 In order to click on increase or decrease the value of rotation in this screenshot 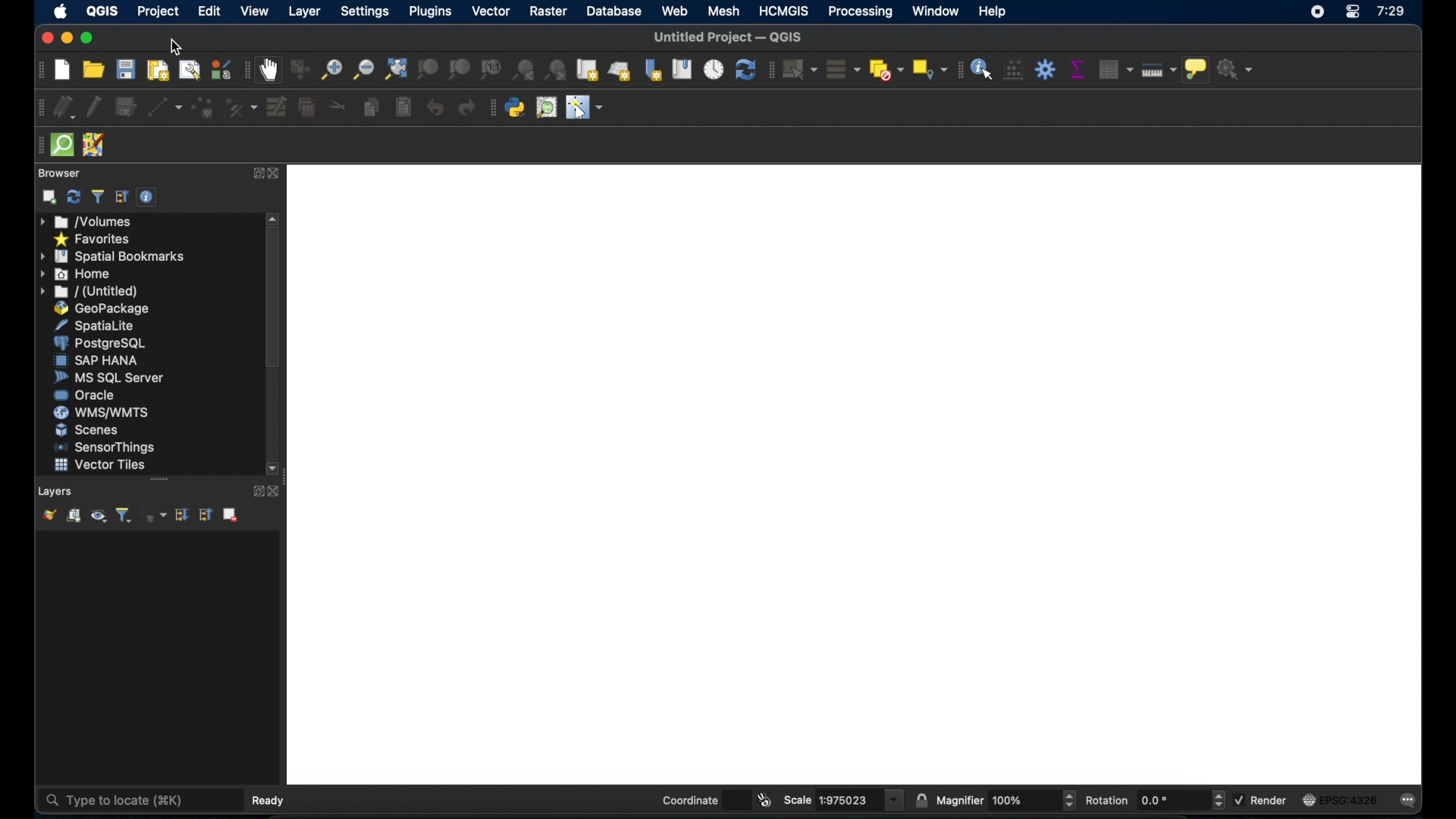, I will do `click(1219, 800)`.